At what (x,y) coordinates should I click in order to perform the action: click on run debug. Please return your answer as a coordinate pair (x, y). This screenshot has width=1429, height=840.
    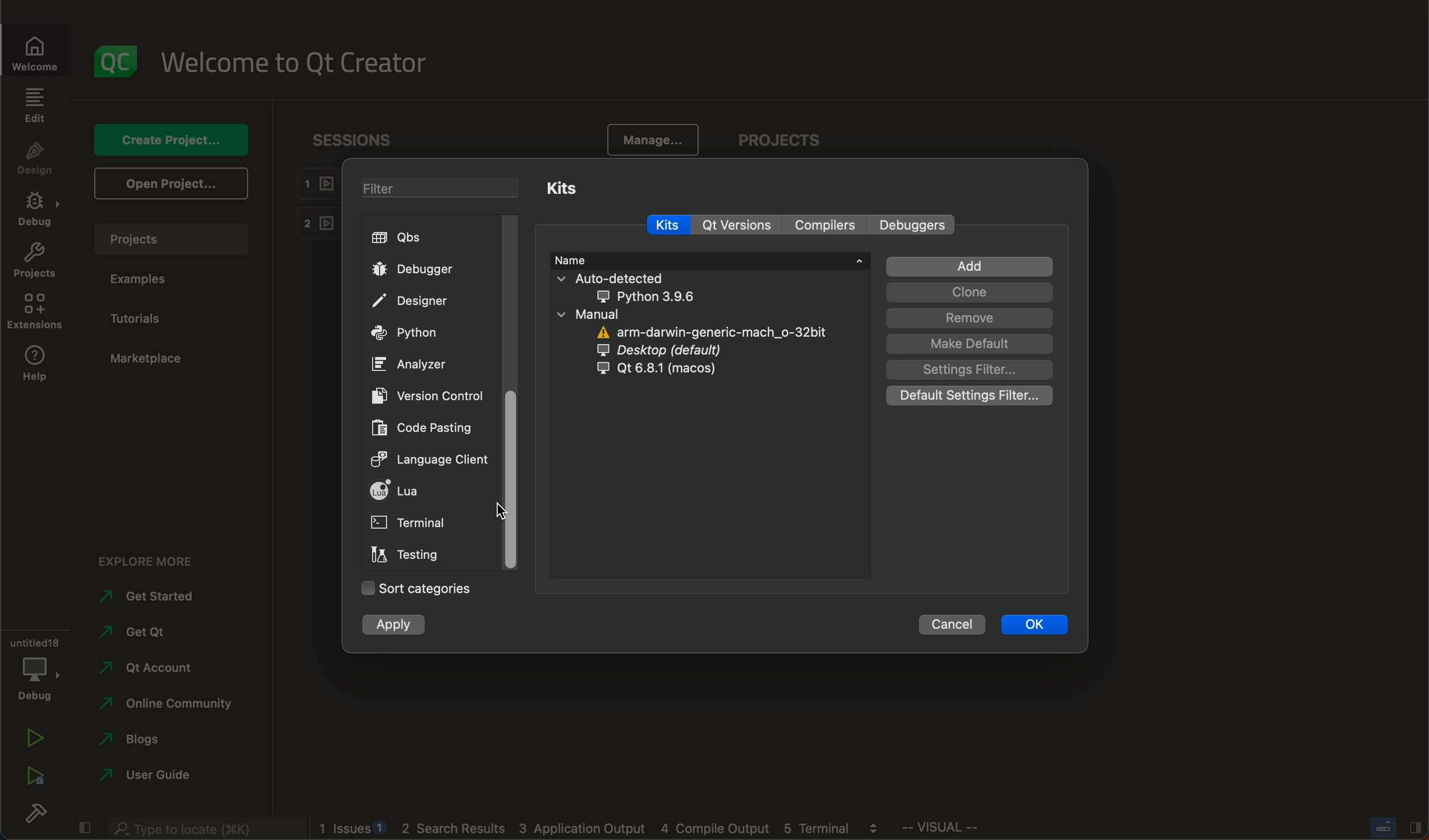
    Looking at the image, I should click on (33, 780).